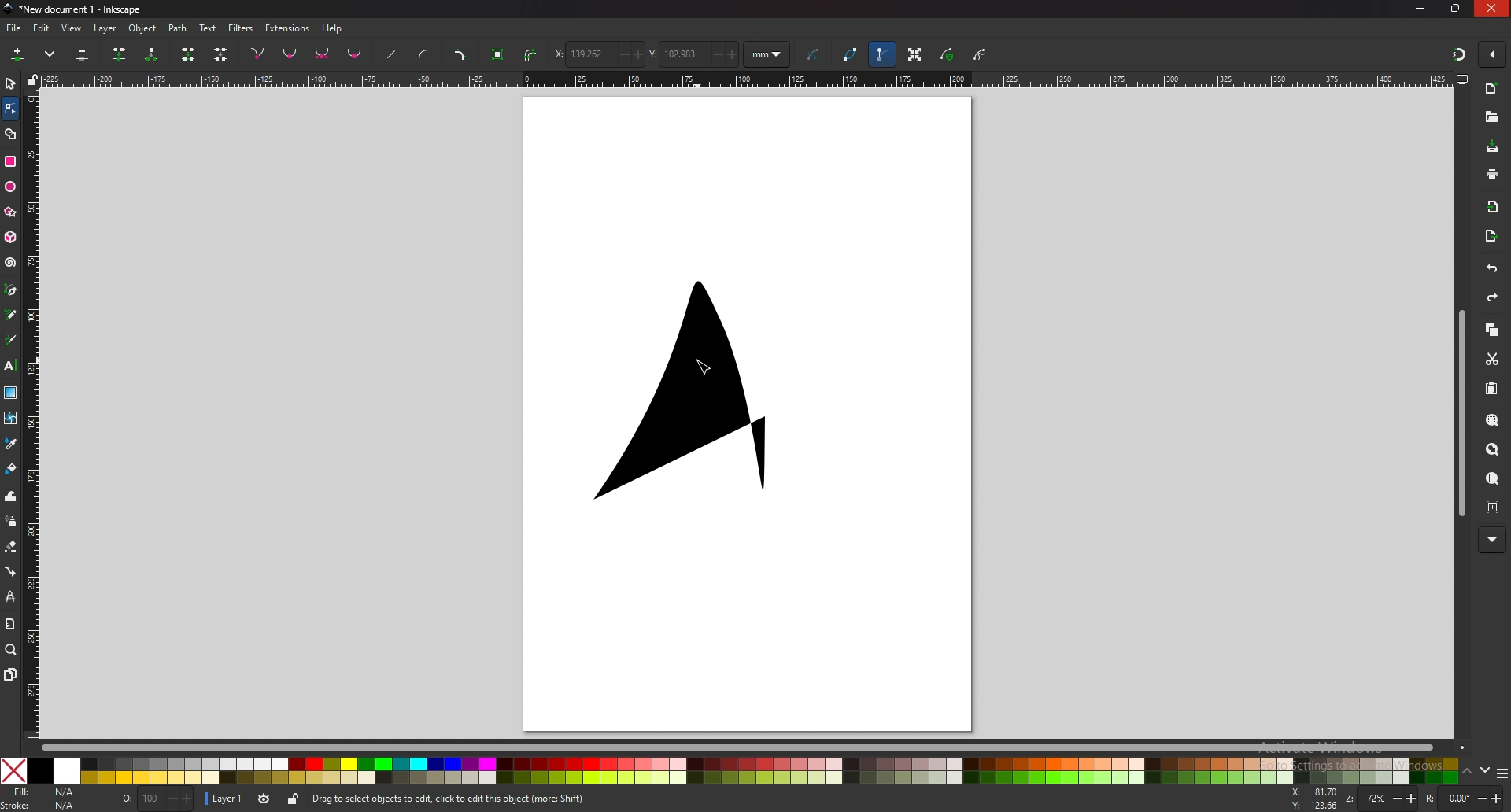  What do you see at coordinates (1494, 148) in the screenshot?
I see `save` at bounding box center [1494, 148].